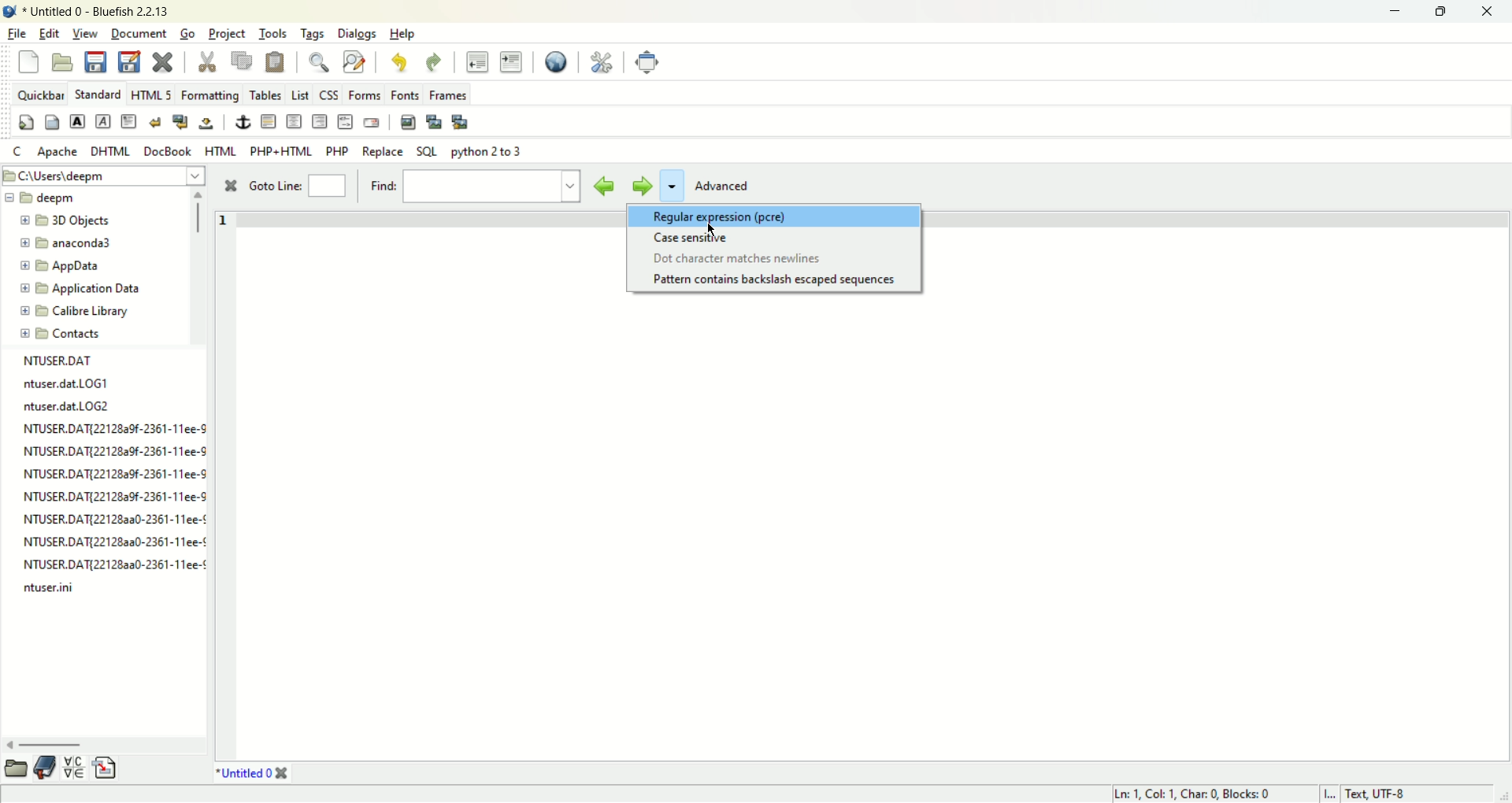 This screenshot has width=1512, height=803. Describe the element at coordinates (28, 123) in the screenshot. I see `quickstart` at that location.